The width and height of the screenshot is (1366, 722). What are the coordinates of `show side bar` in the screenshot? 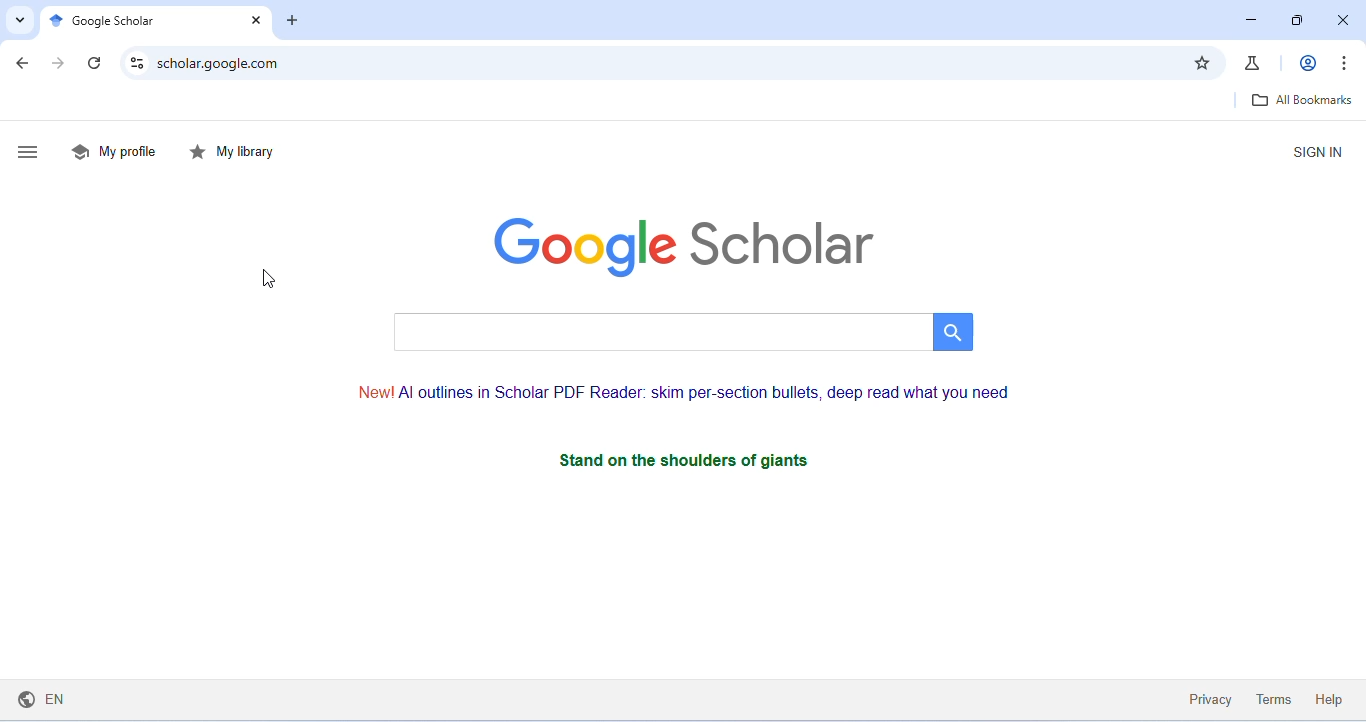 It's located at (30, 154).